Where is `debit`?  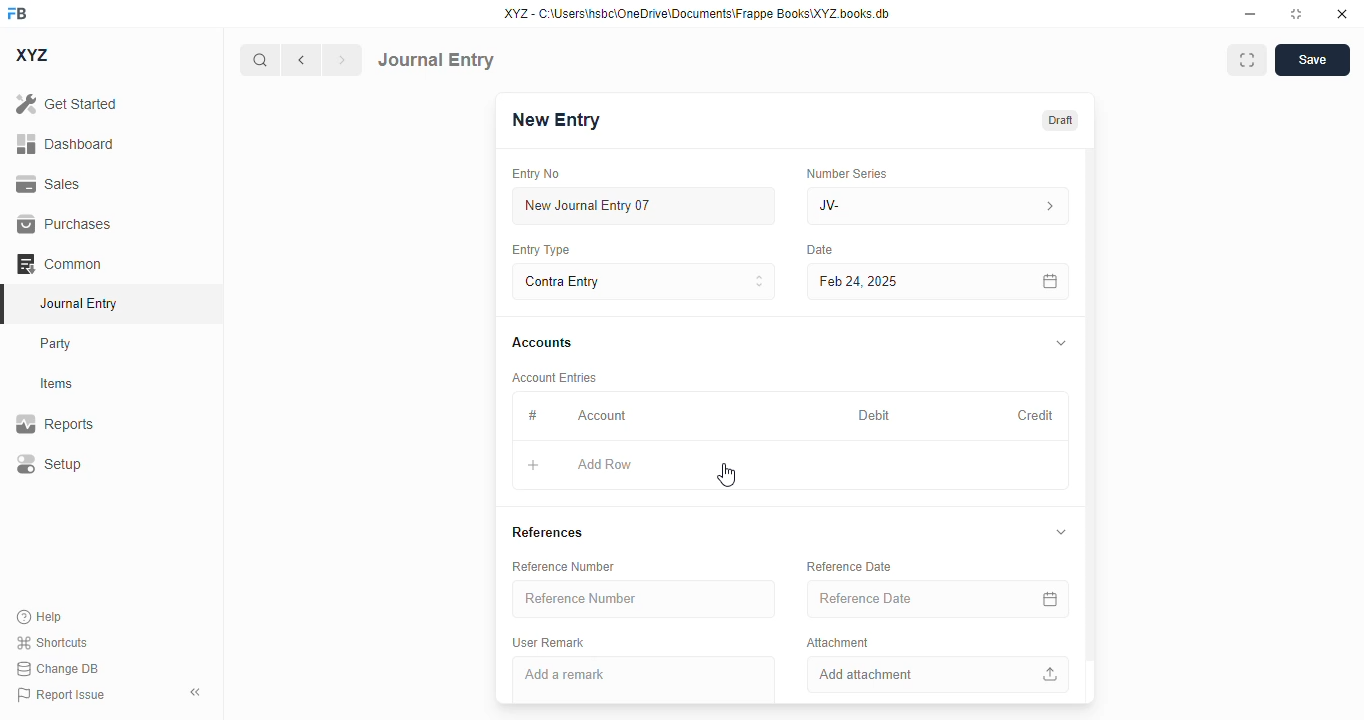 debit is located at coordinates (875, 415).